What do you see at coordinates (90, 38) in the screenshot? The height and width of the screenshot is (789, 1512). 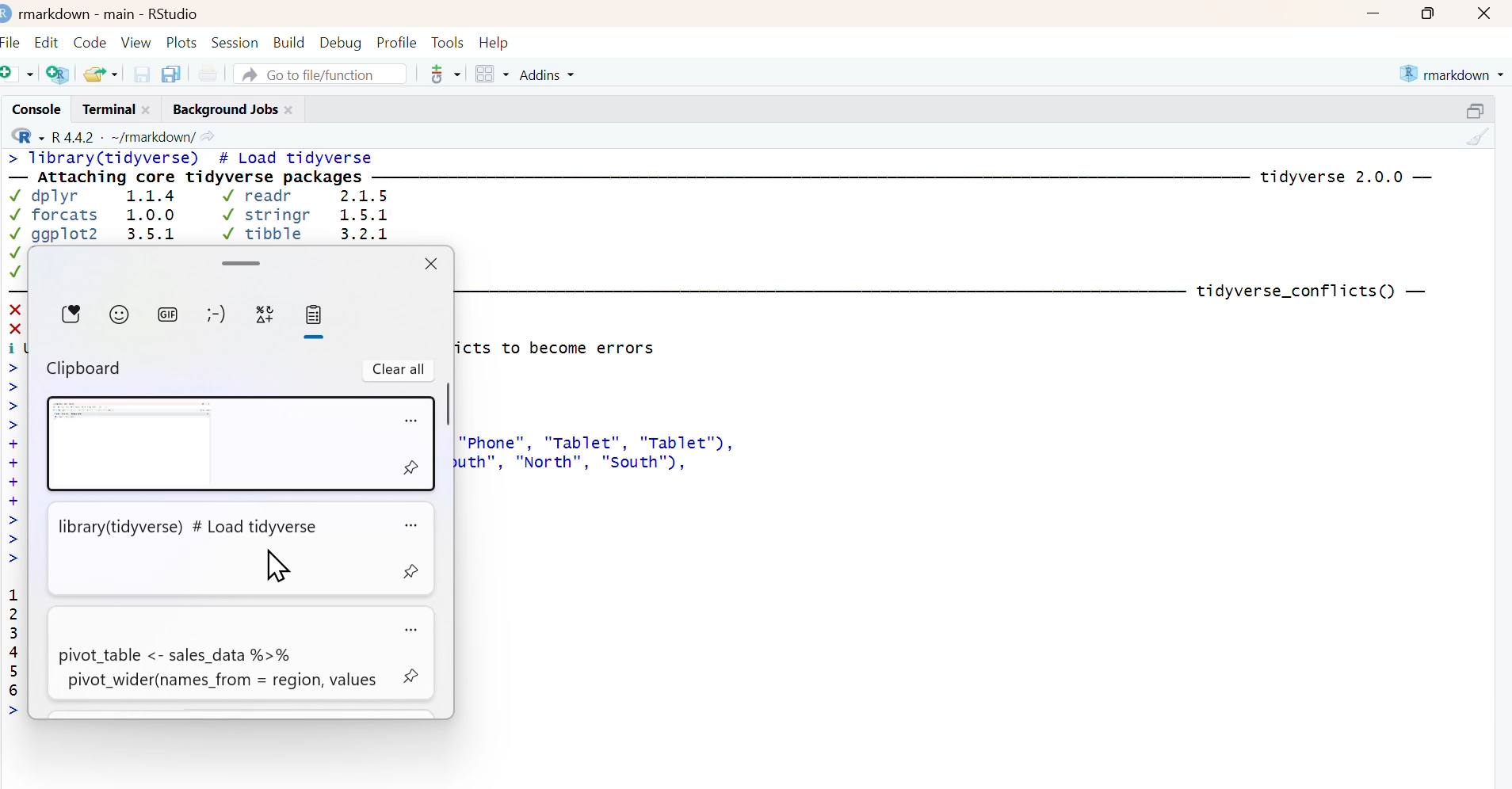 I see `Code` at bounding box center [90, 38].